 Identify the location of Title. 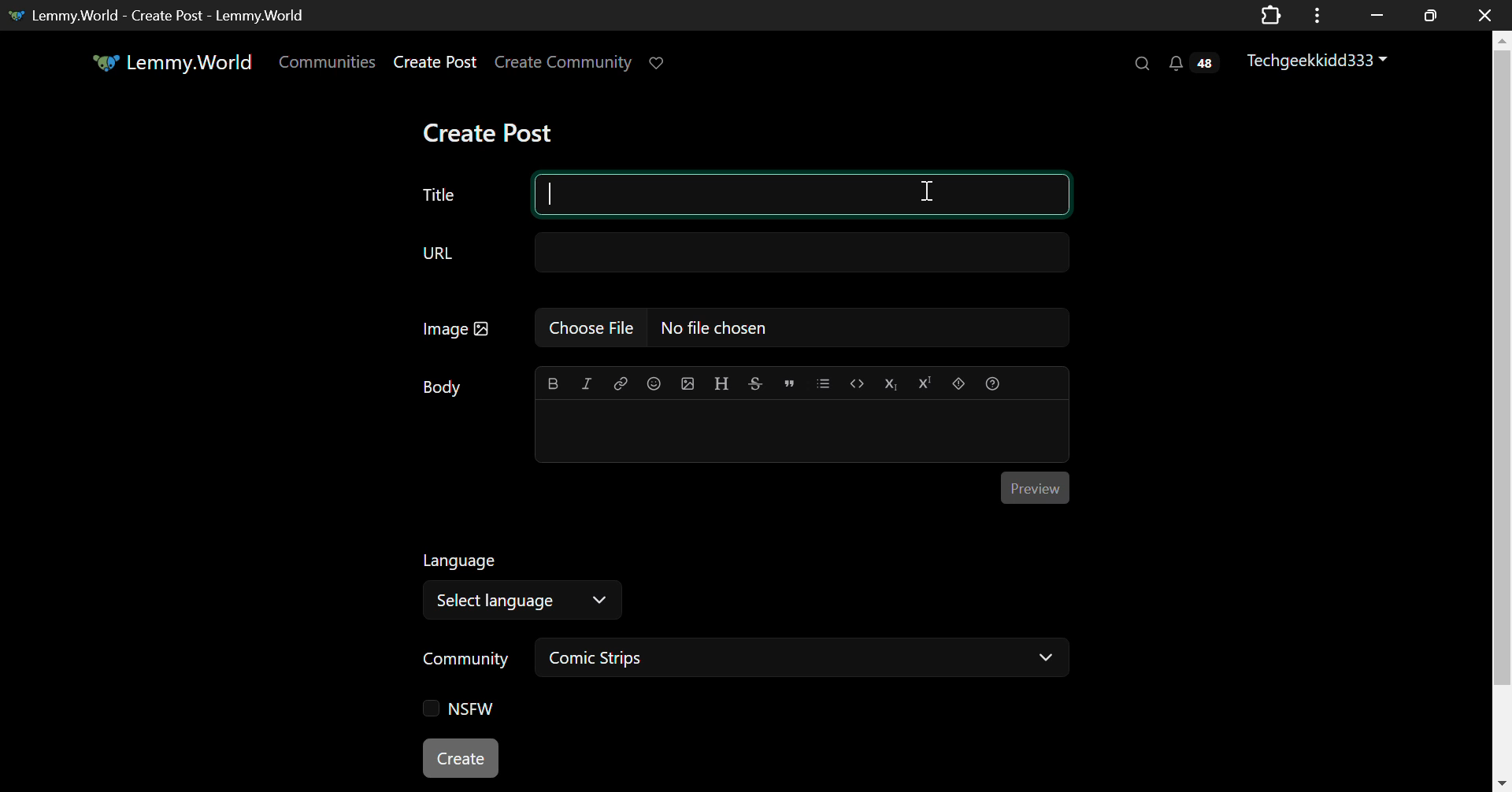
(729, 193).